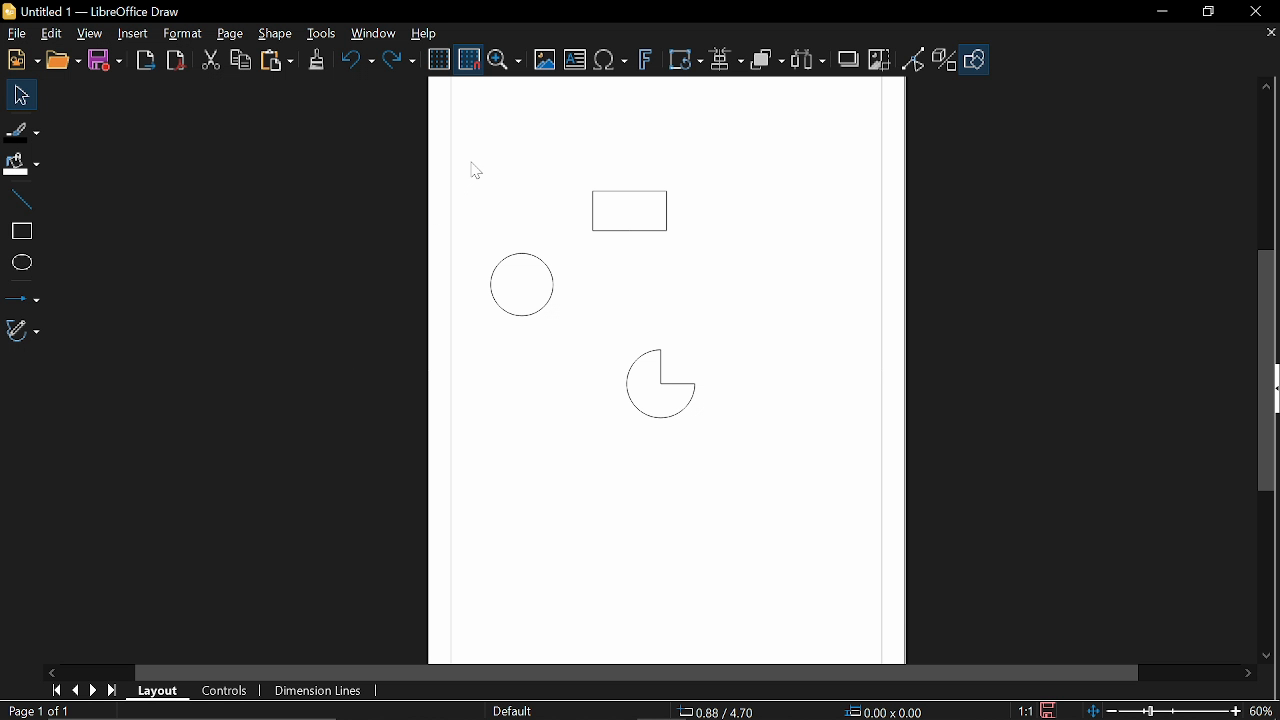 The height and width of the screenshot is (720, 1280). What do you see at coordinates (942, 61) in the screenshot?
I see `Toggle extrusion` at bounding box center [942, 61].